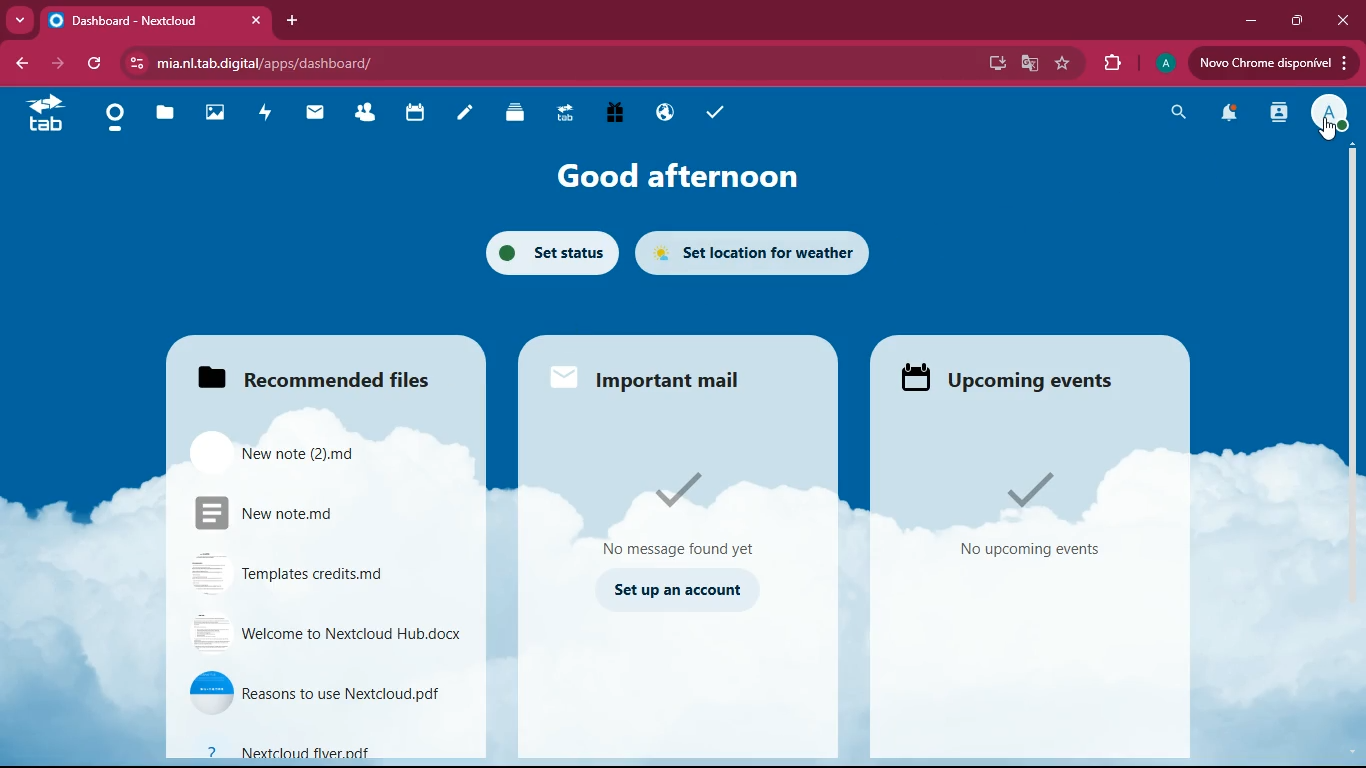 The image size is (1366, 768). What do you see at coordinates (1275, 112) in the screenshot?
I see `activity` at bounding box center [1275, 112].